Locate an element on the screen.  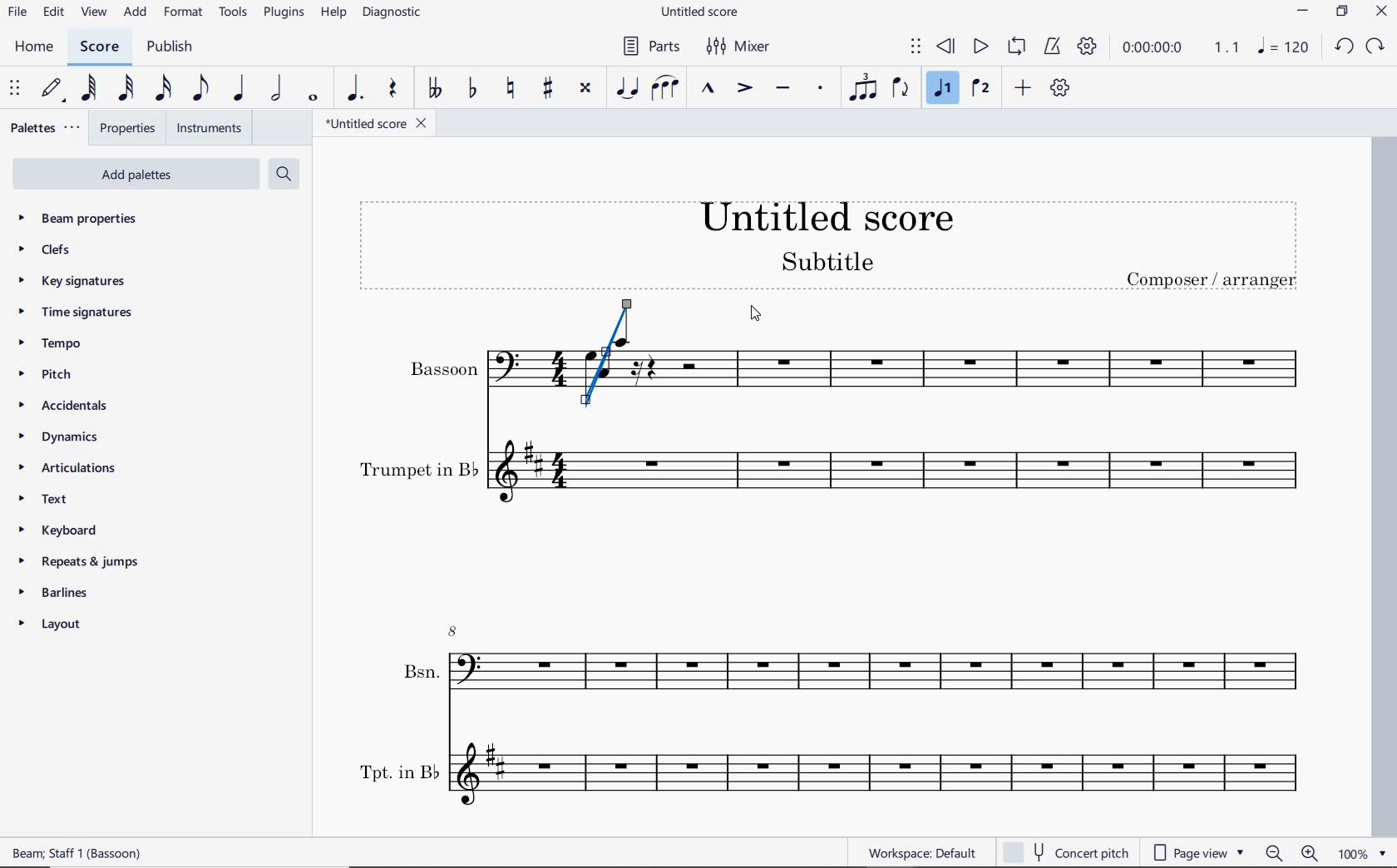
plugins is located at coordinates (286, 12).